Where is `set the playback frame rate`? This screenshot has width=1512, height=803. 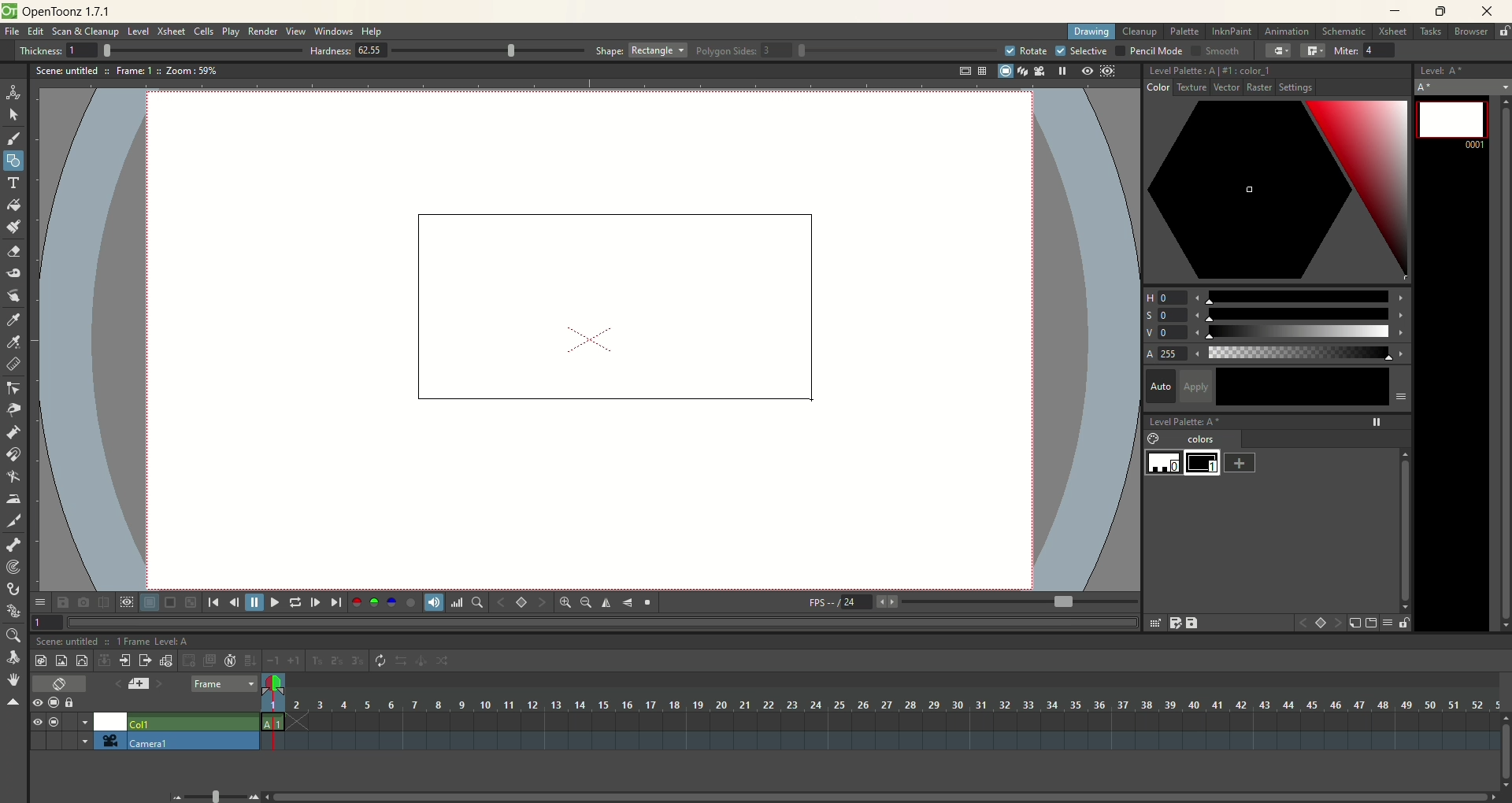 set the playback frame rate is located at coordinates (1062, 602).